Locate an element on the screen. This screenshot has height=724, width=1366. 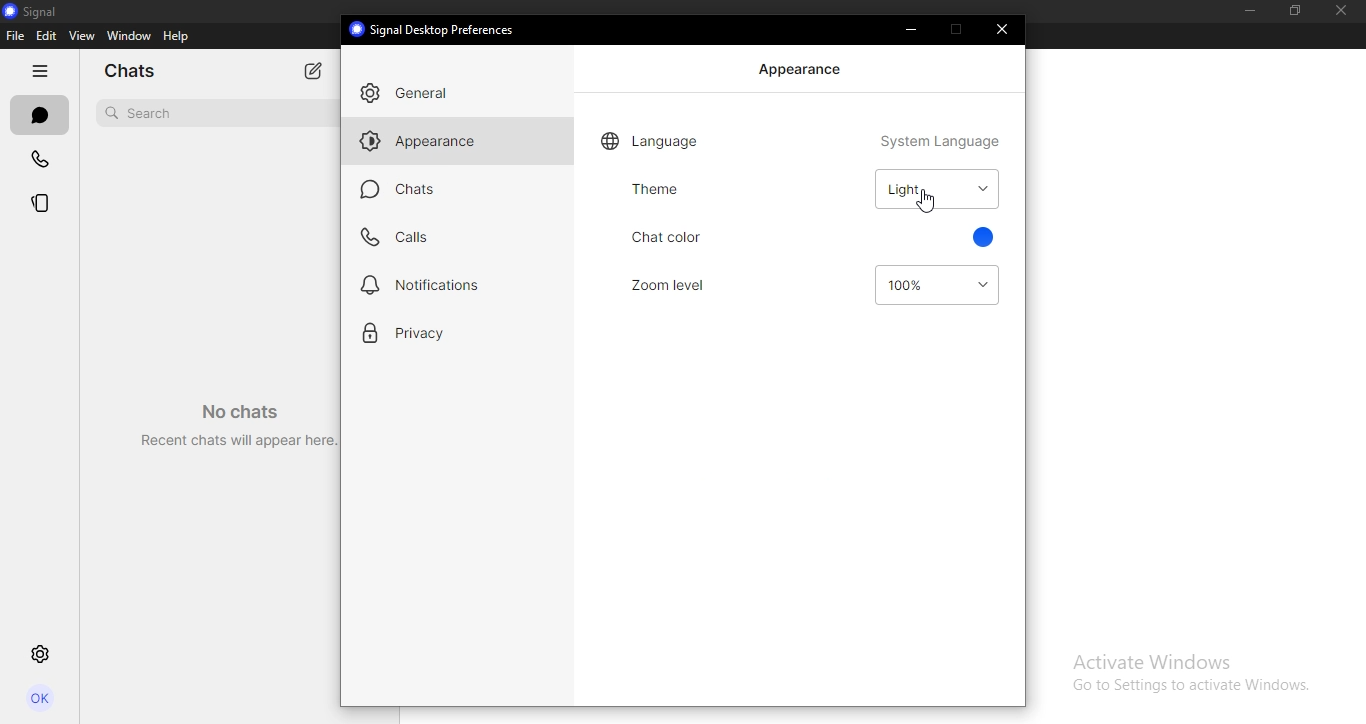
chats is located at coordinates (400, 189).